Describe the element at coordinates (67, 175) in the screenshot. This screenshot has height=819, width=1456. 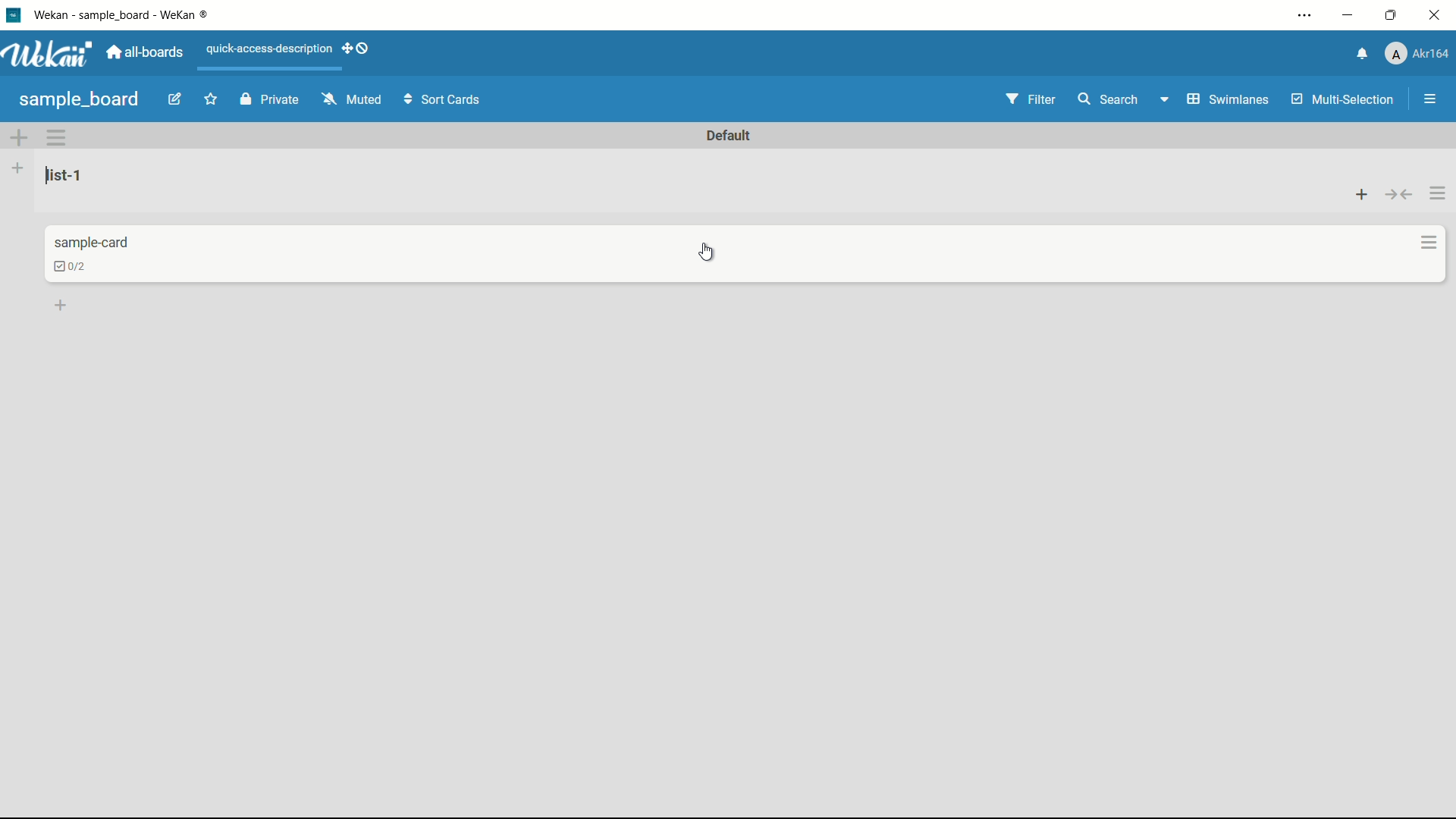
I see `list name` at that location.